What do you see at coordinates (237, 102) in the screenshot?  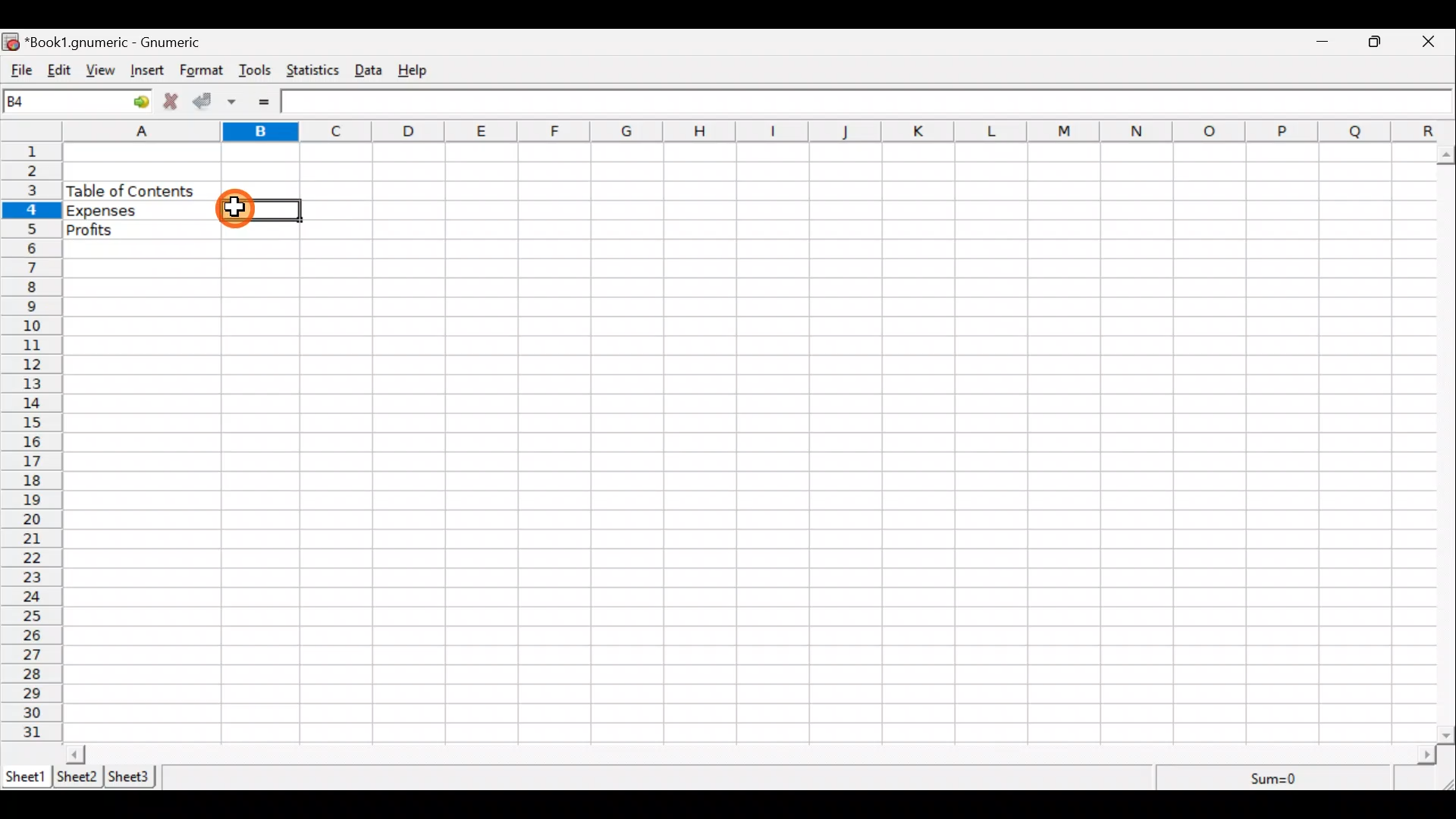 I see `Accept change in multiple cells` at bounding box center [237, 102].